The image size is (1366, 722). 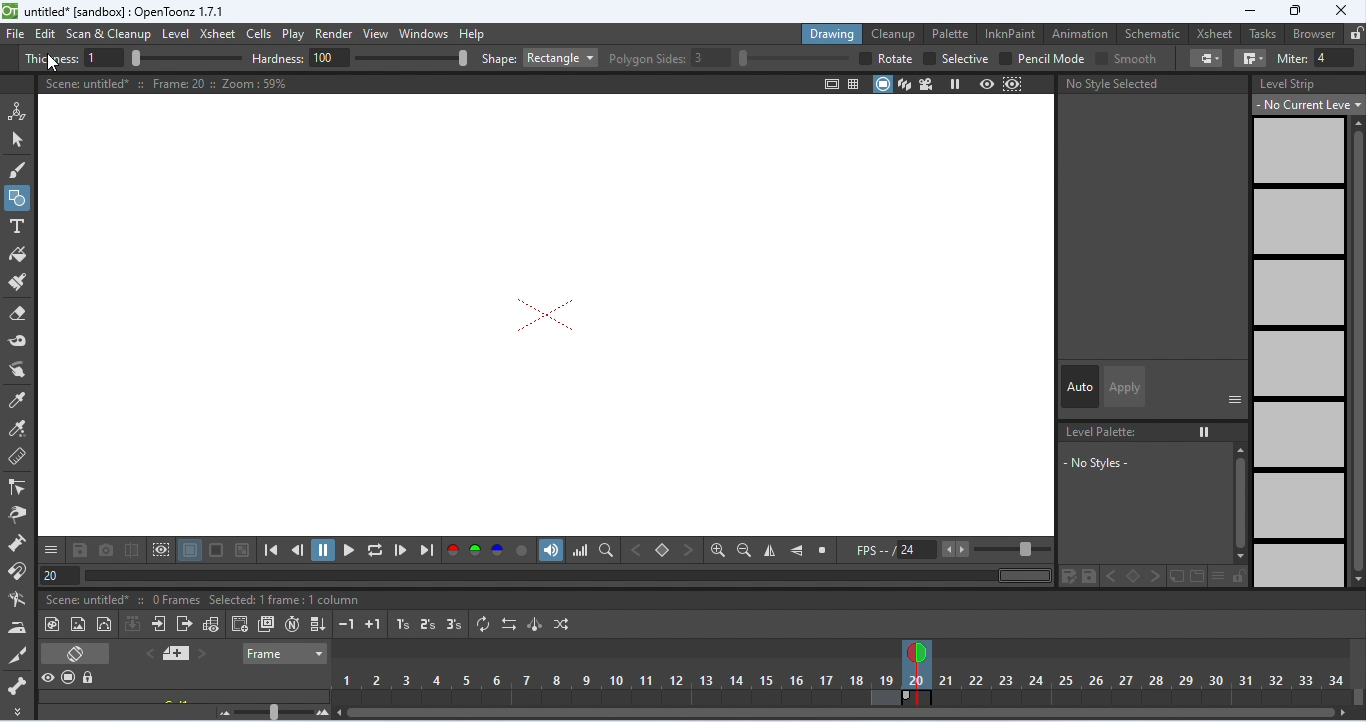 I want to click on control point editor tool, so click(x=18, y=487).